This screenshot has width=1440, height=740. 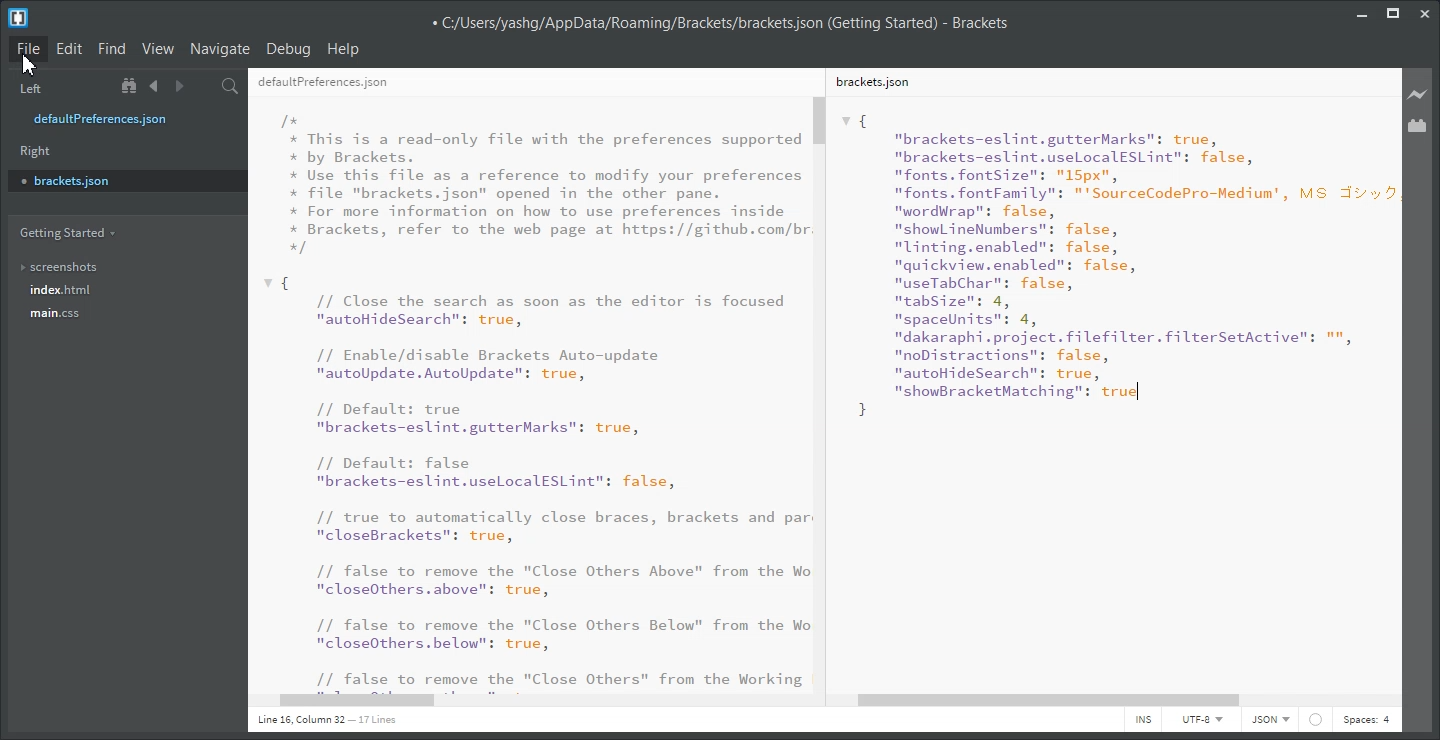 I want to click on Live Preview, so click(x=1418, y=93).